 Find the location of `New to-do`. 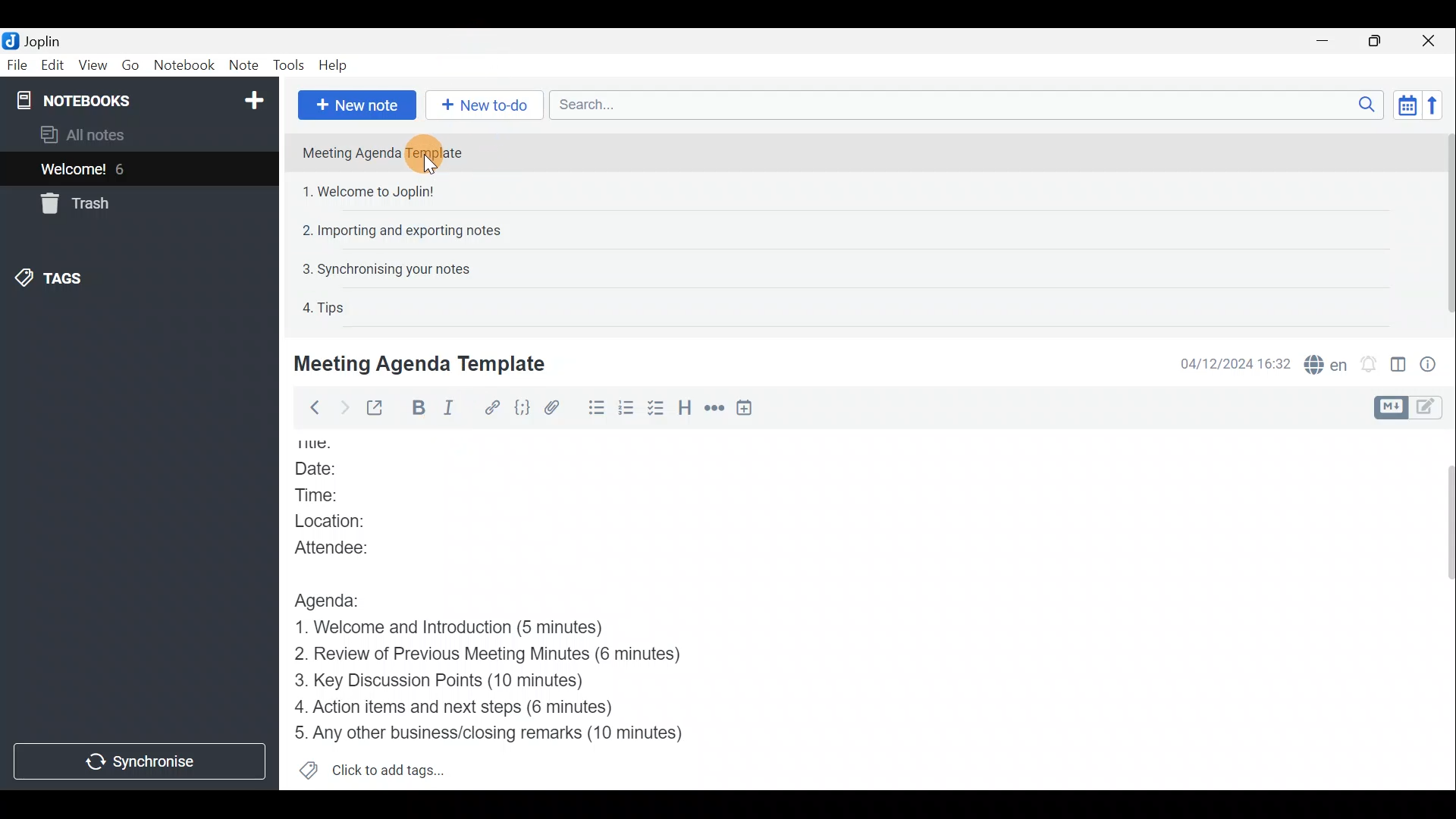

New to-do is located at coordinates (481, 105).